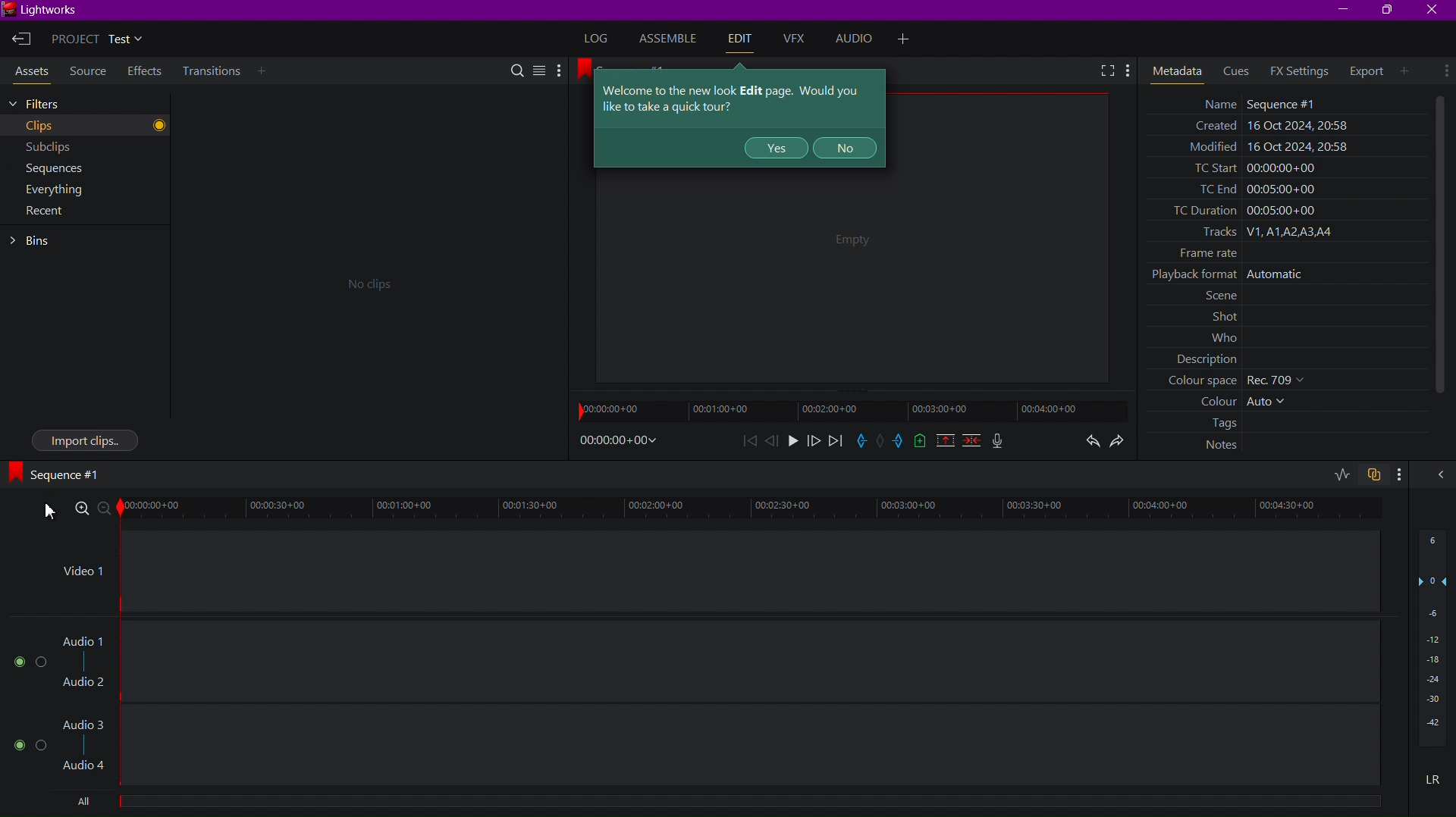 This screenshot has width=1456, height=817. I want to click on VFX, so click(794, 39).